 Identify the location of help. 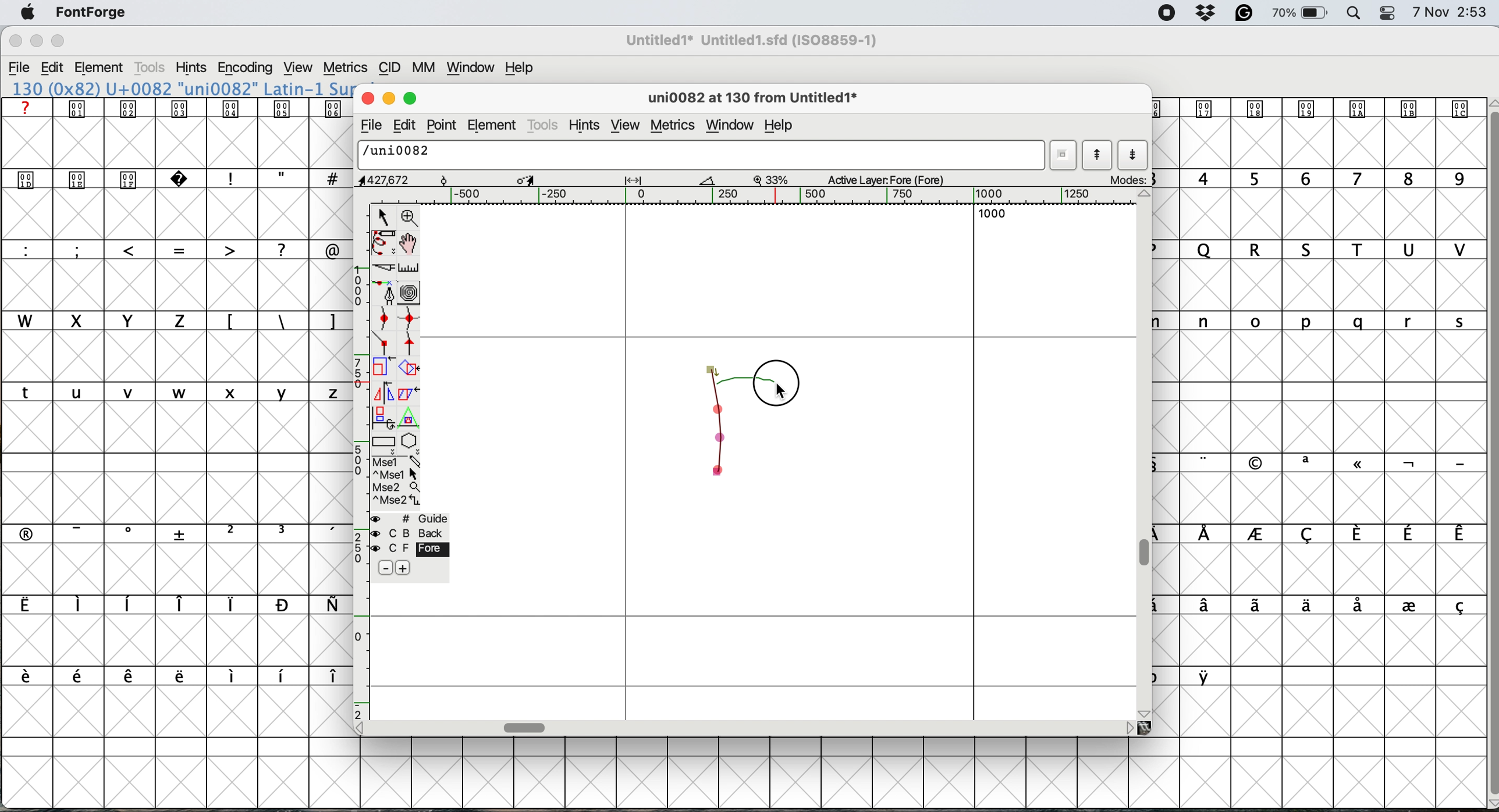
(784, 126).